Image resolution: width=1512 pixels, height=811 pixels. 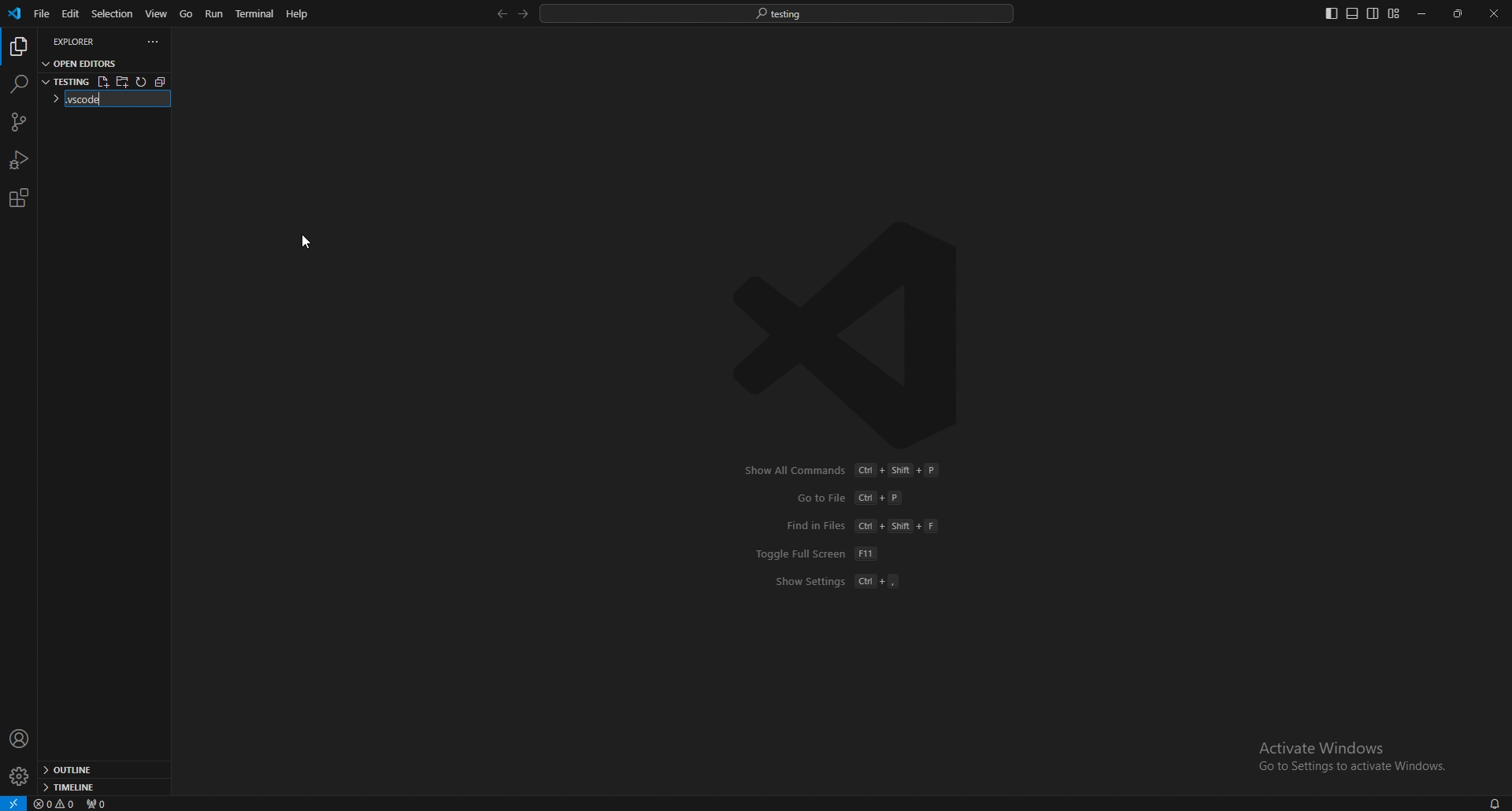 What do you see at coordinates (65, 80) in the screenshot?
I see `folder name` at bounding box center [65, 80].